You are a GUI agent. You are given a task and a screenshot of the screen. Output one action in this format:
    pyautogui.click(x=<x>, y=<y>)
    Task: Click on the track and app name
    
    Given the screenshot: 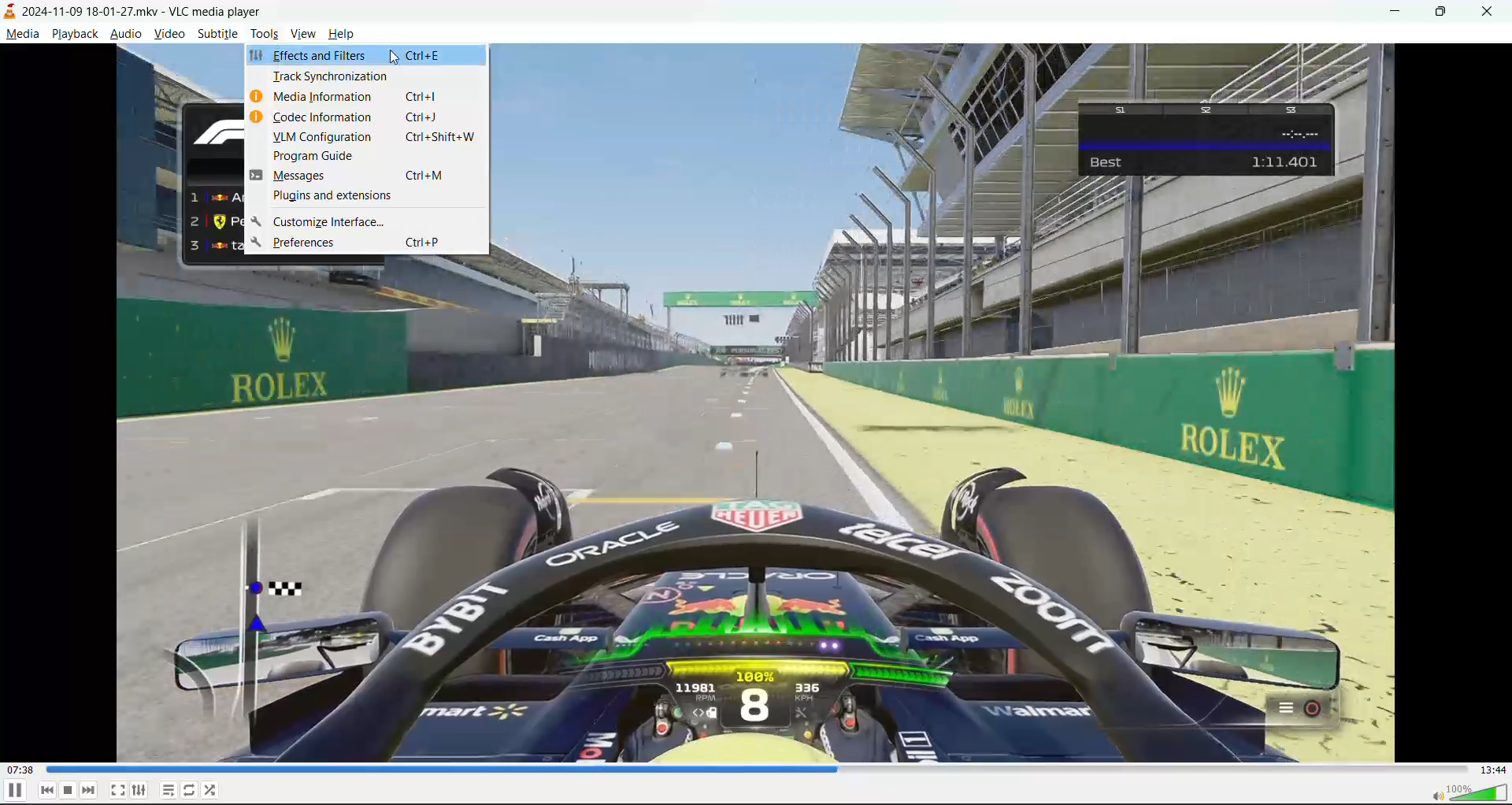 What is the action you would take?
    pyautogui.click(x=135, y=10)
    